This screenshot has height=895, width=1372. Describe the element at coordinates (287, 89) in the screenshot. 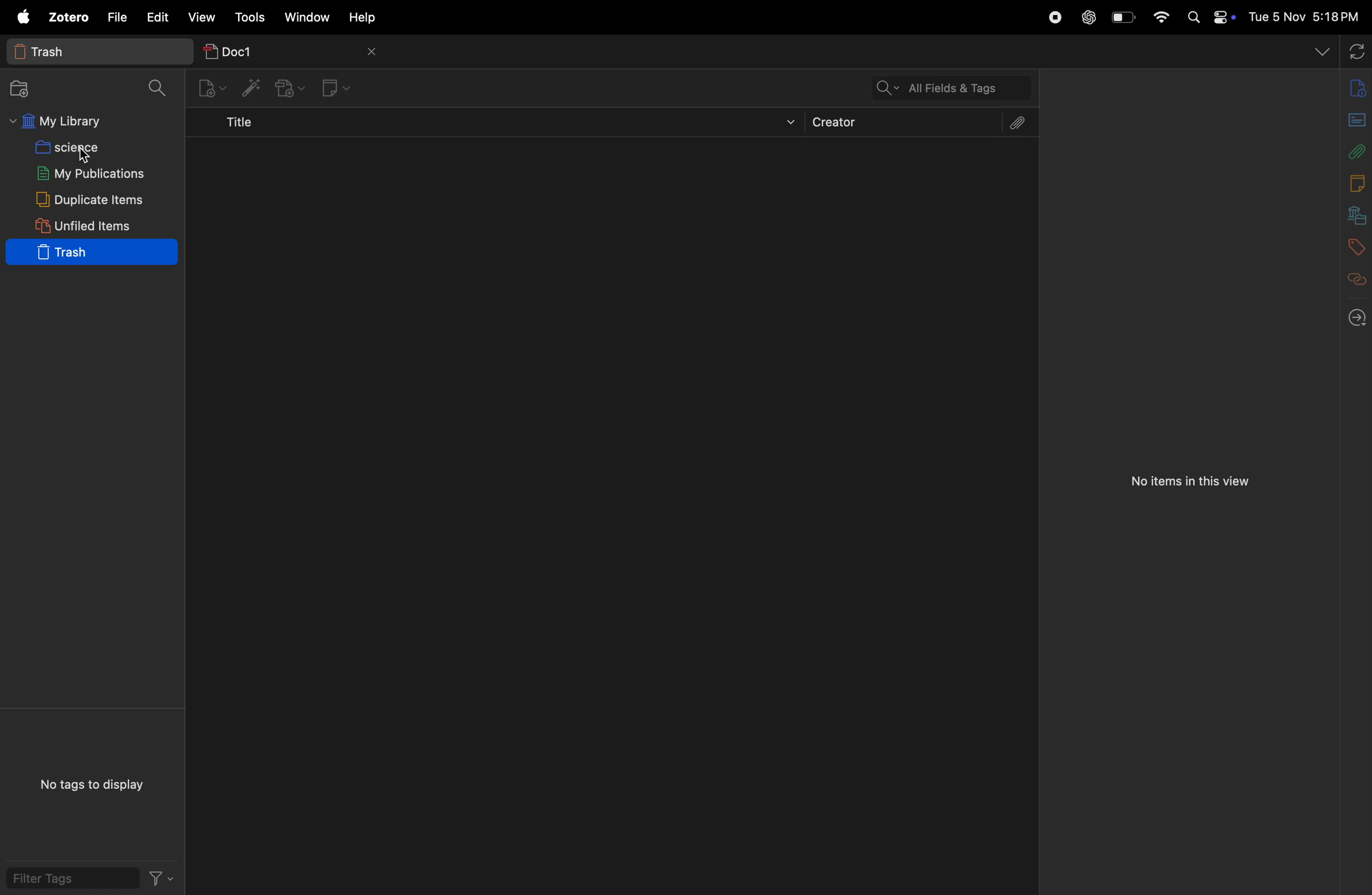

I see `add file` at that location.